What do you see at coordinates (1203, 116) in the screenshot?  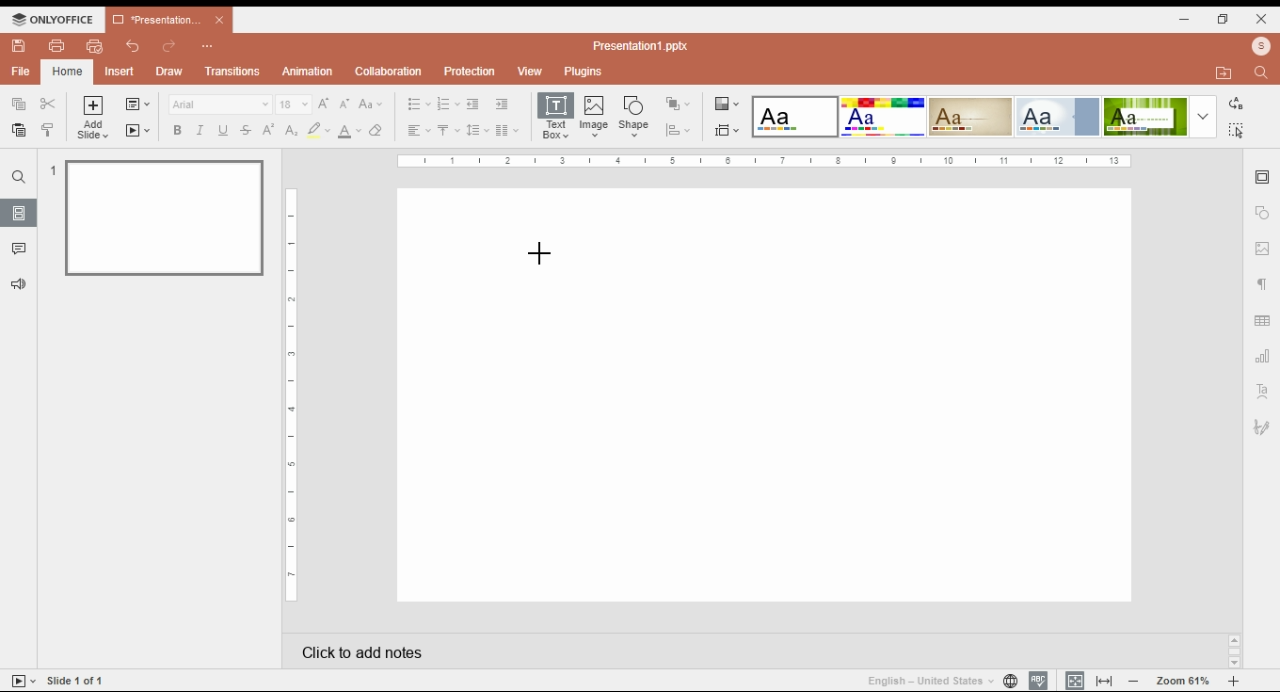 I see `more color themes` at bounding box center [1203, 116].